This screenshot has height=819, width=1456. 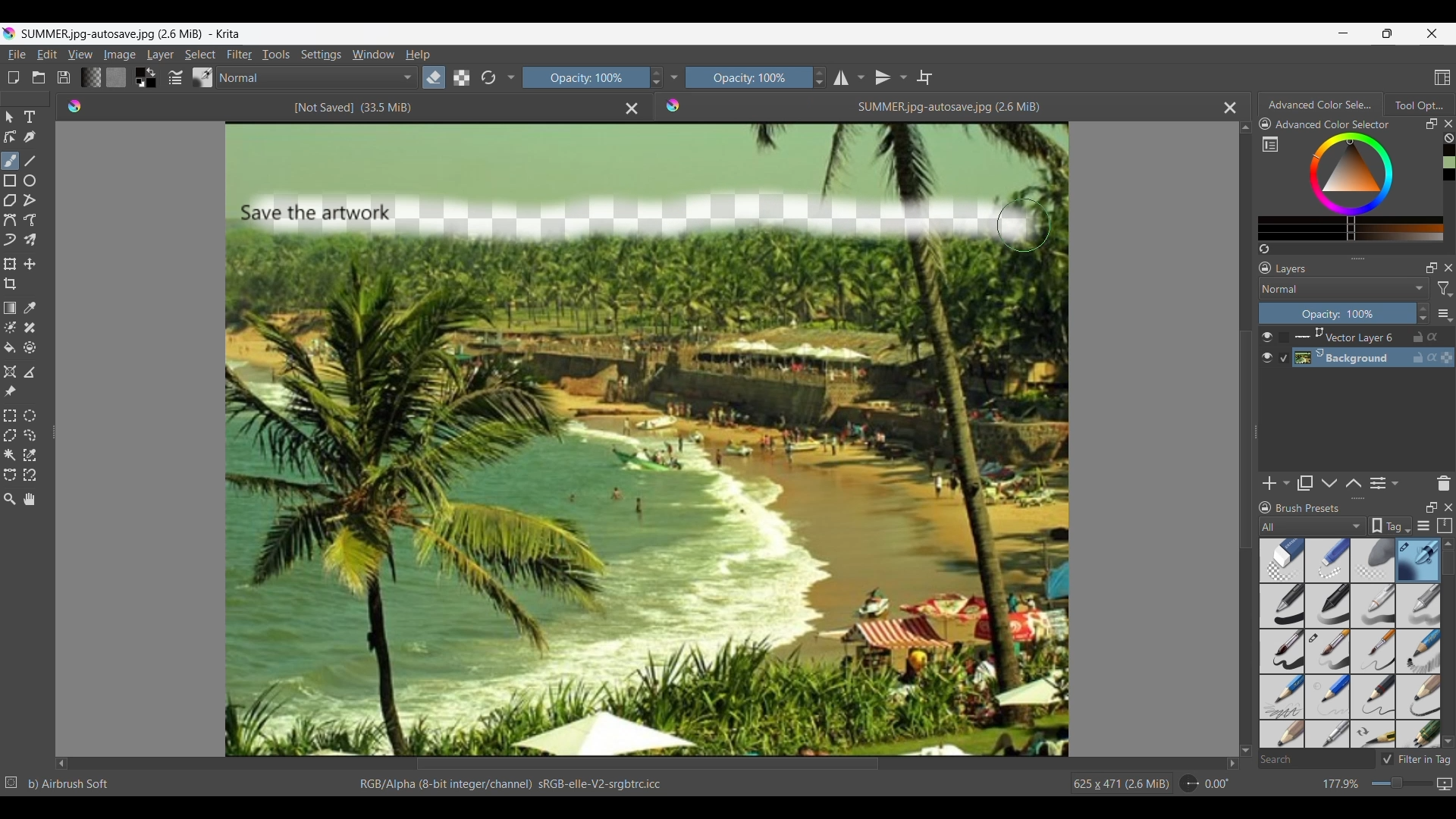 I want to click on Save, so click(x=64, y=77).